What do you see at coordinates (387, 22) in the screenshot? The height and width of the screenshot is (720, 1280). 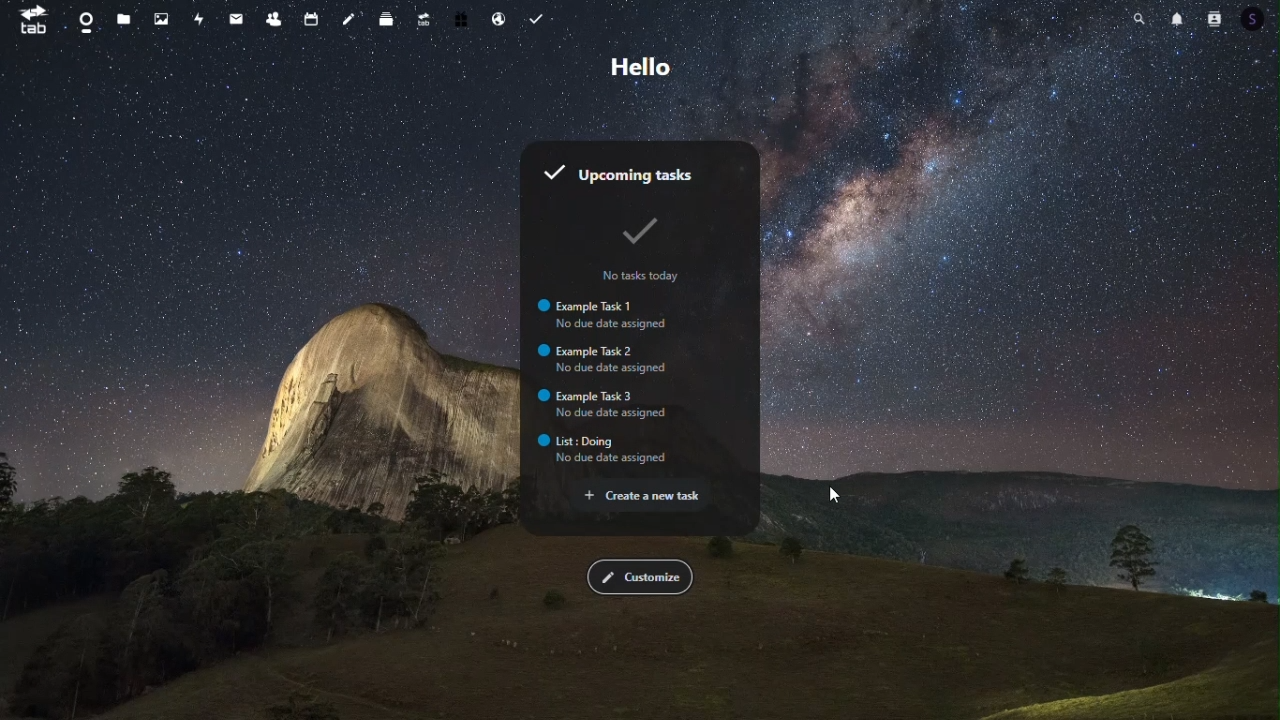 I see `deck` at bounding box center [387, 22].